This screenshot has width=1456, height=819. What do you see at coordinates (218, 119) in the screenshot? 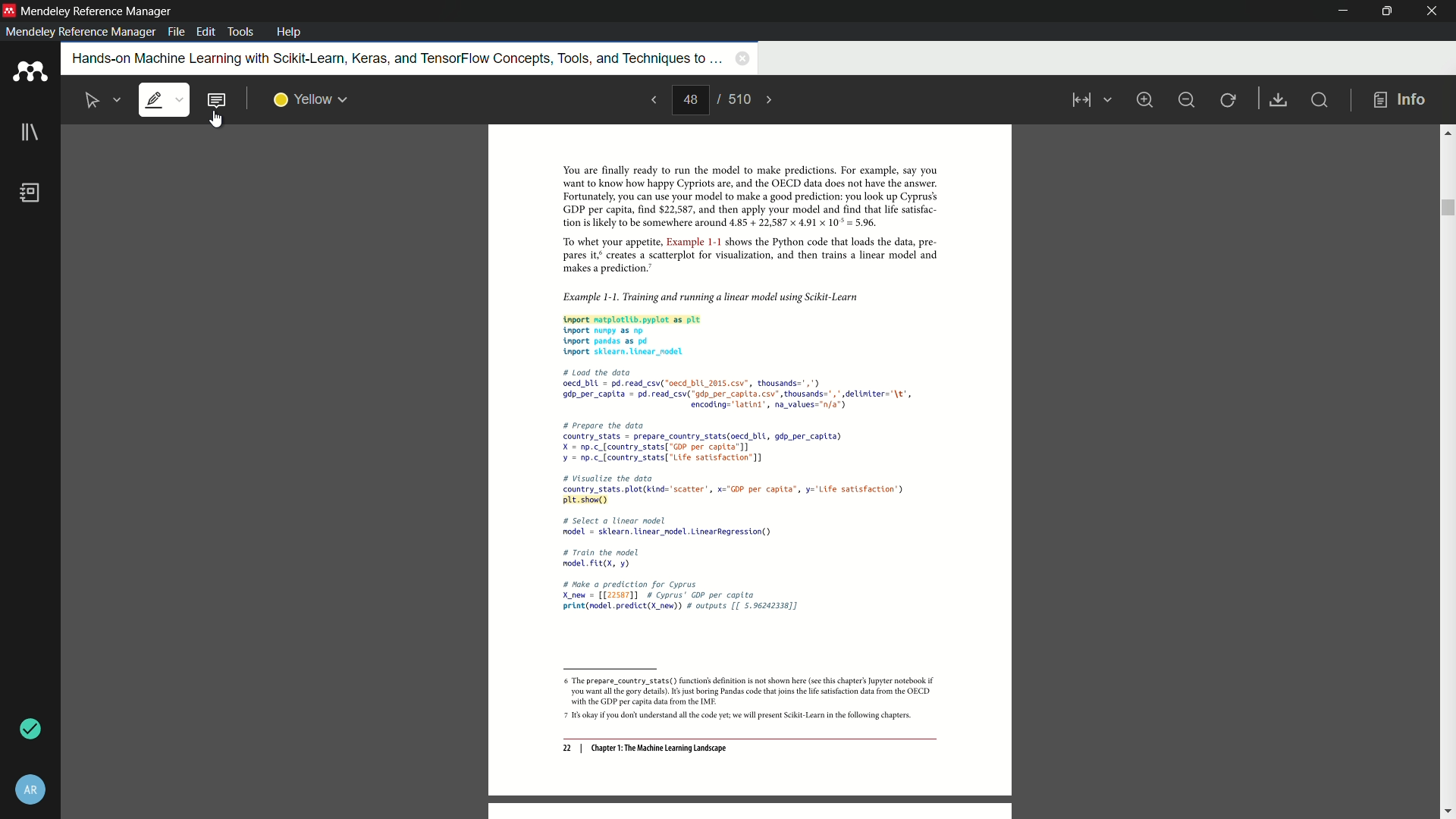
I see `cursor` at bounding box center [218, 119].